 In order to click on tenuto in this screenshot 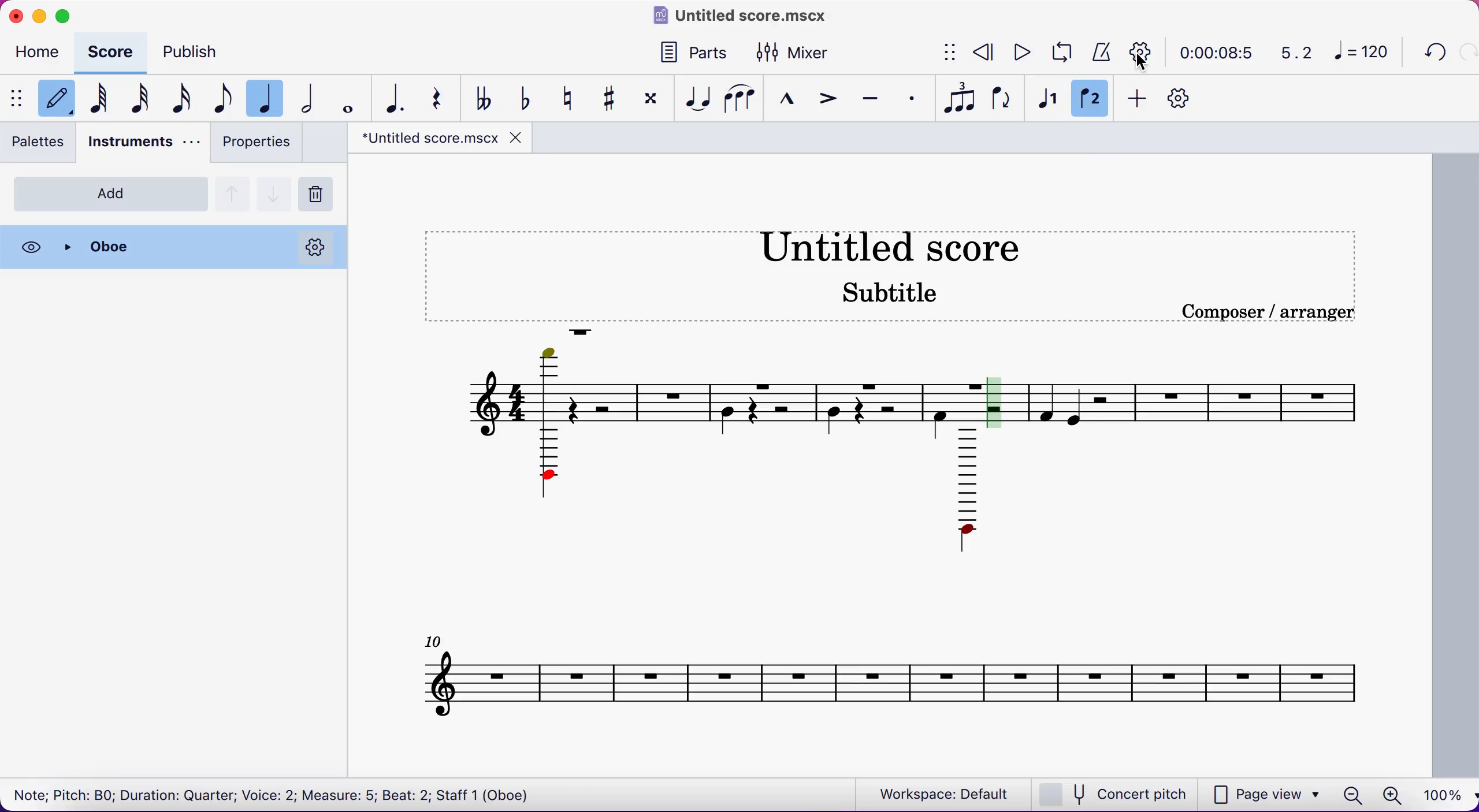, I will do `click(875, 101)`.